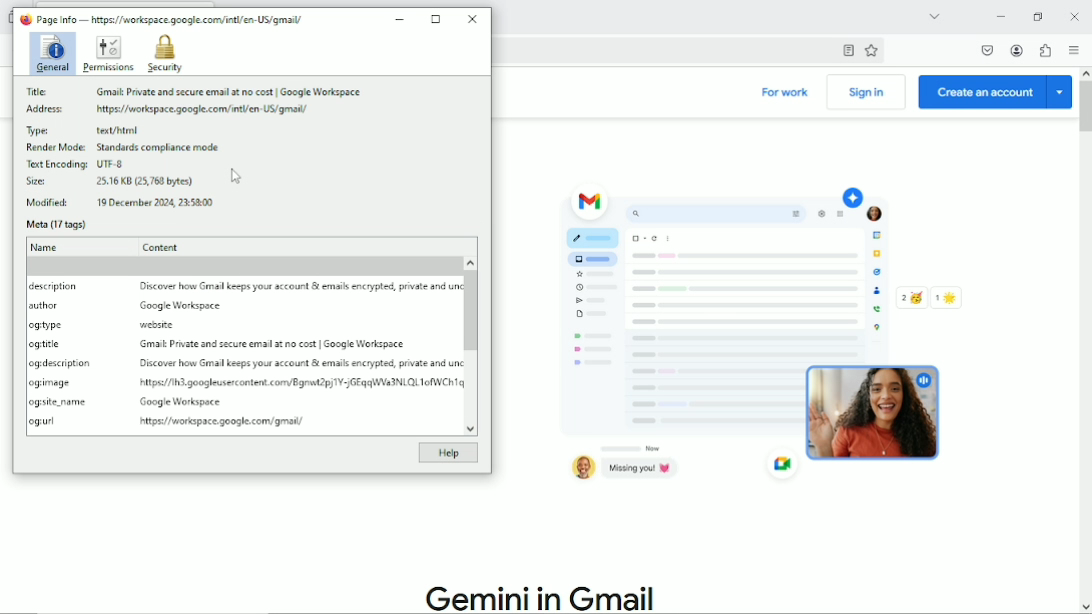  Describe the element at coordinates (847, 49) in the screenshot. I see `Toggle reader view` at that location.